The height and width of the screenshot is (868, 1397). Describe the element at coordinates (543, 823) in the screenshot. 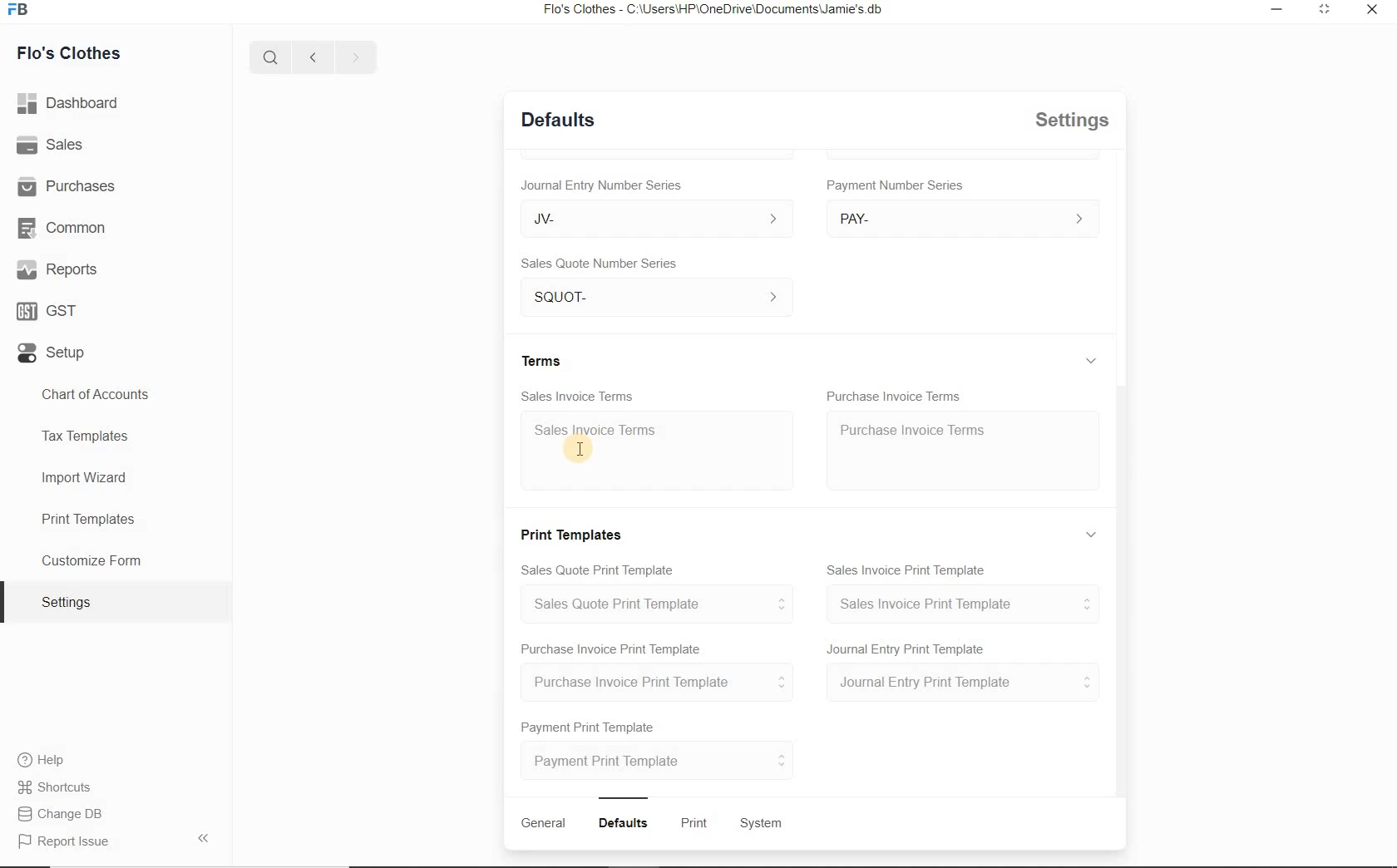

I see `General` at that location.